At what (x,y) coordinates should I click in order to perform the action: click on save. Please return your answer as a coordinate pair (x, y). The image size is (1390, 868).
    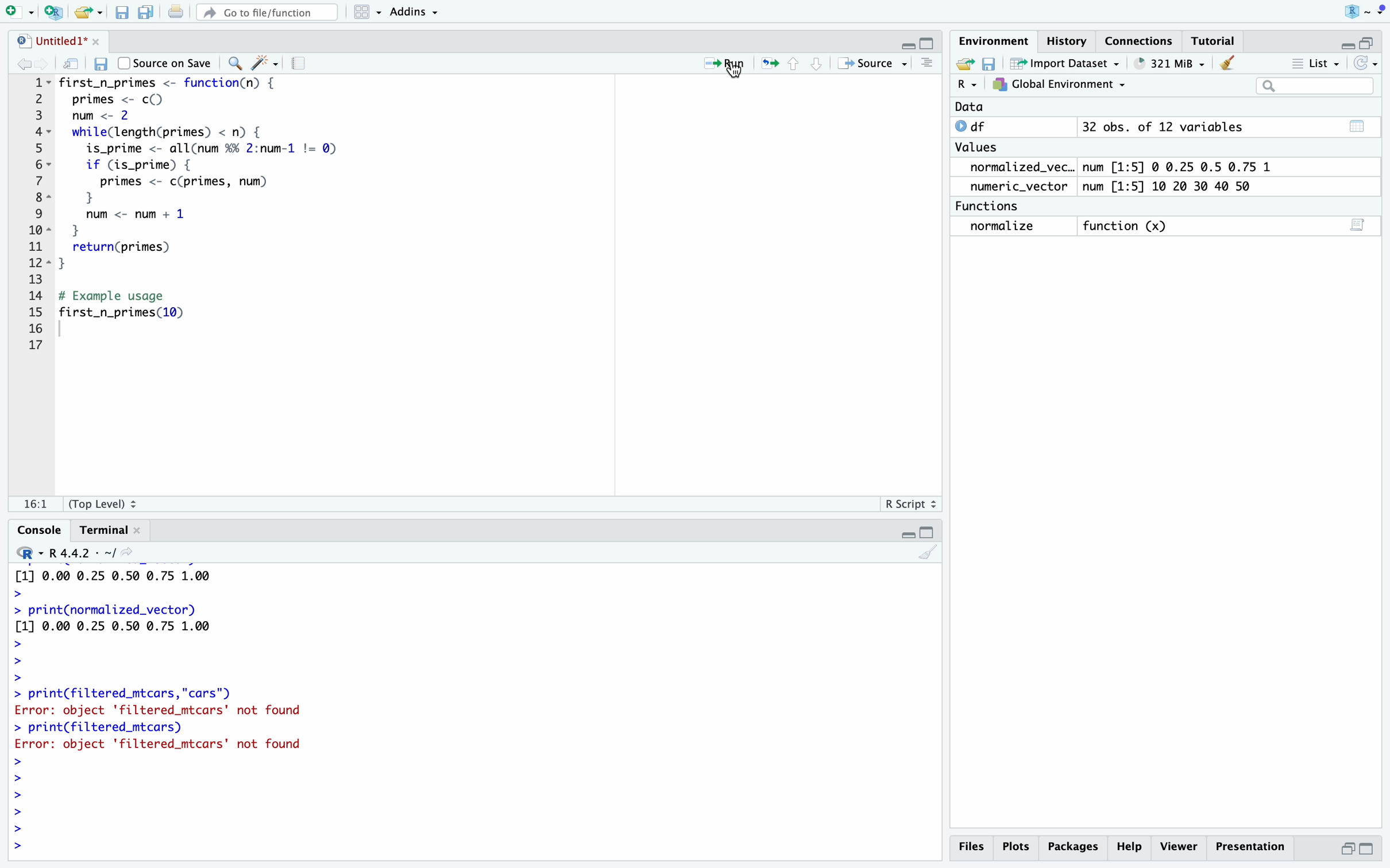
    Looking at the image, I should click on (103, 59).